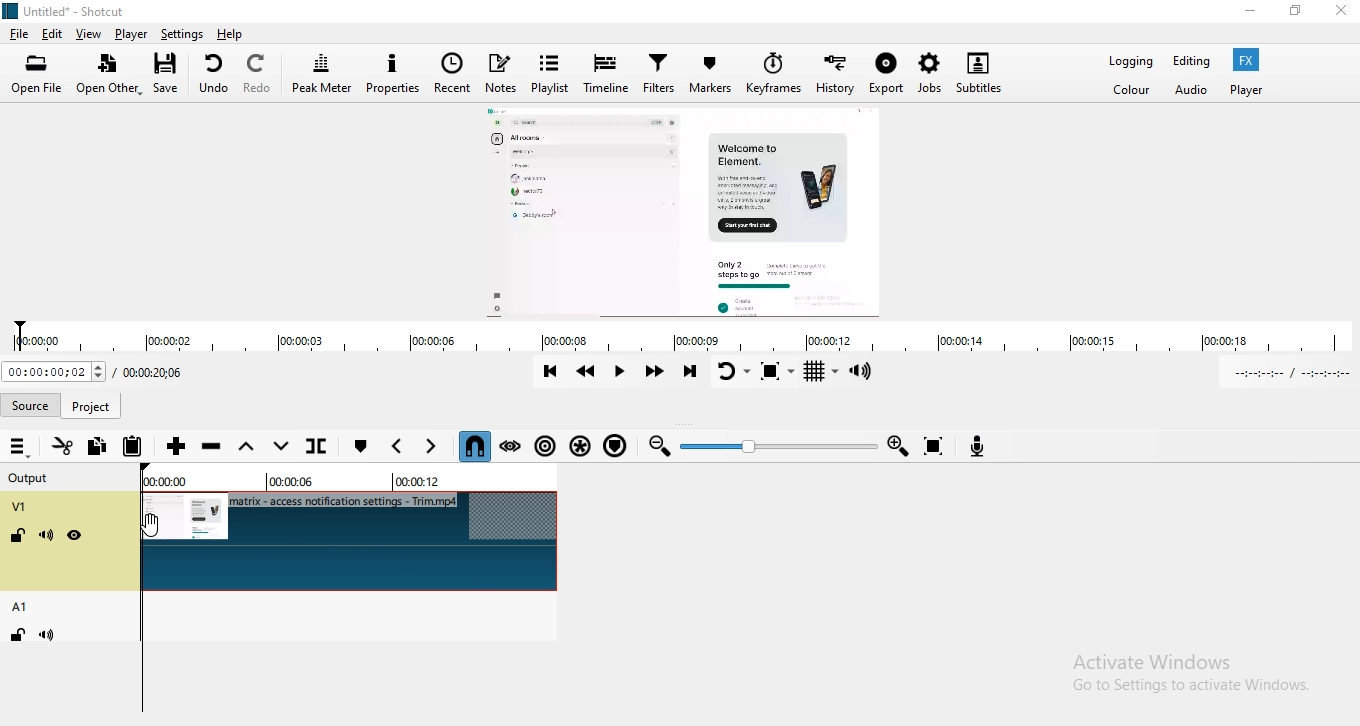  Describe the element at coordinates (161, 371) in the screenshot. I see `Total duration` at that location.